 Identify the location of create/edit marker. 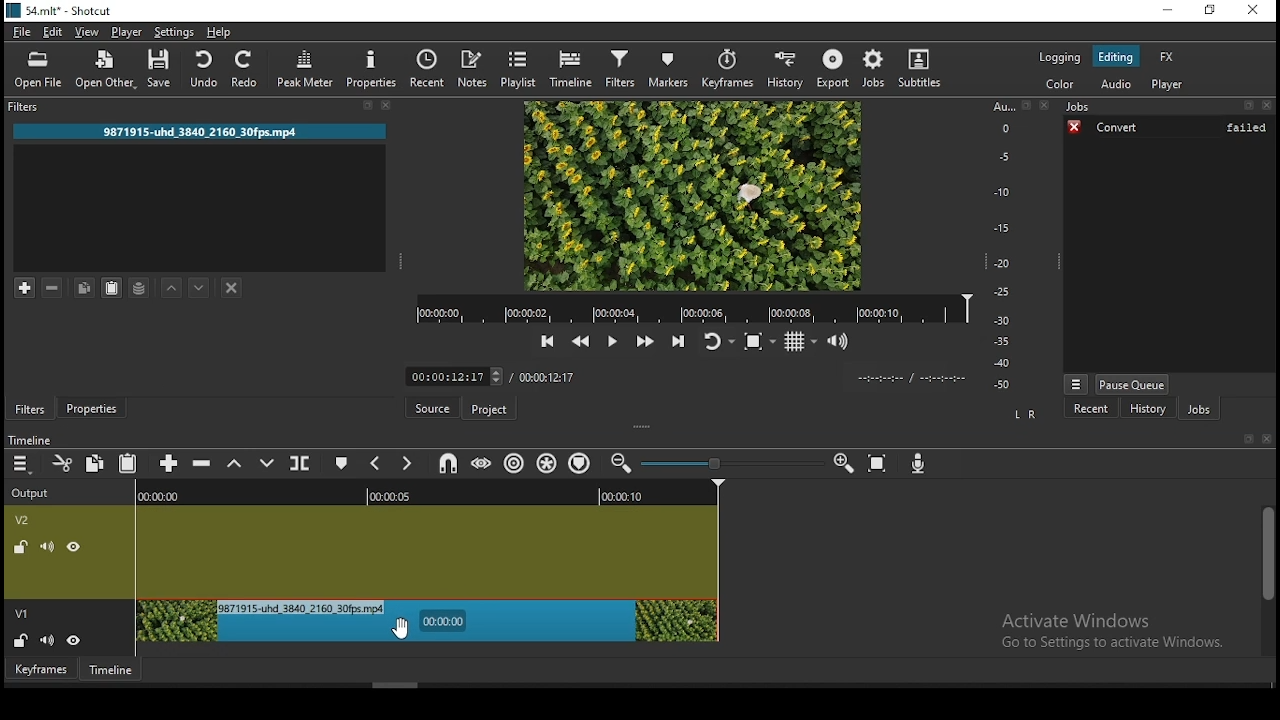
(339, 464).